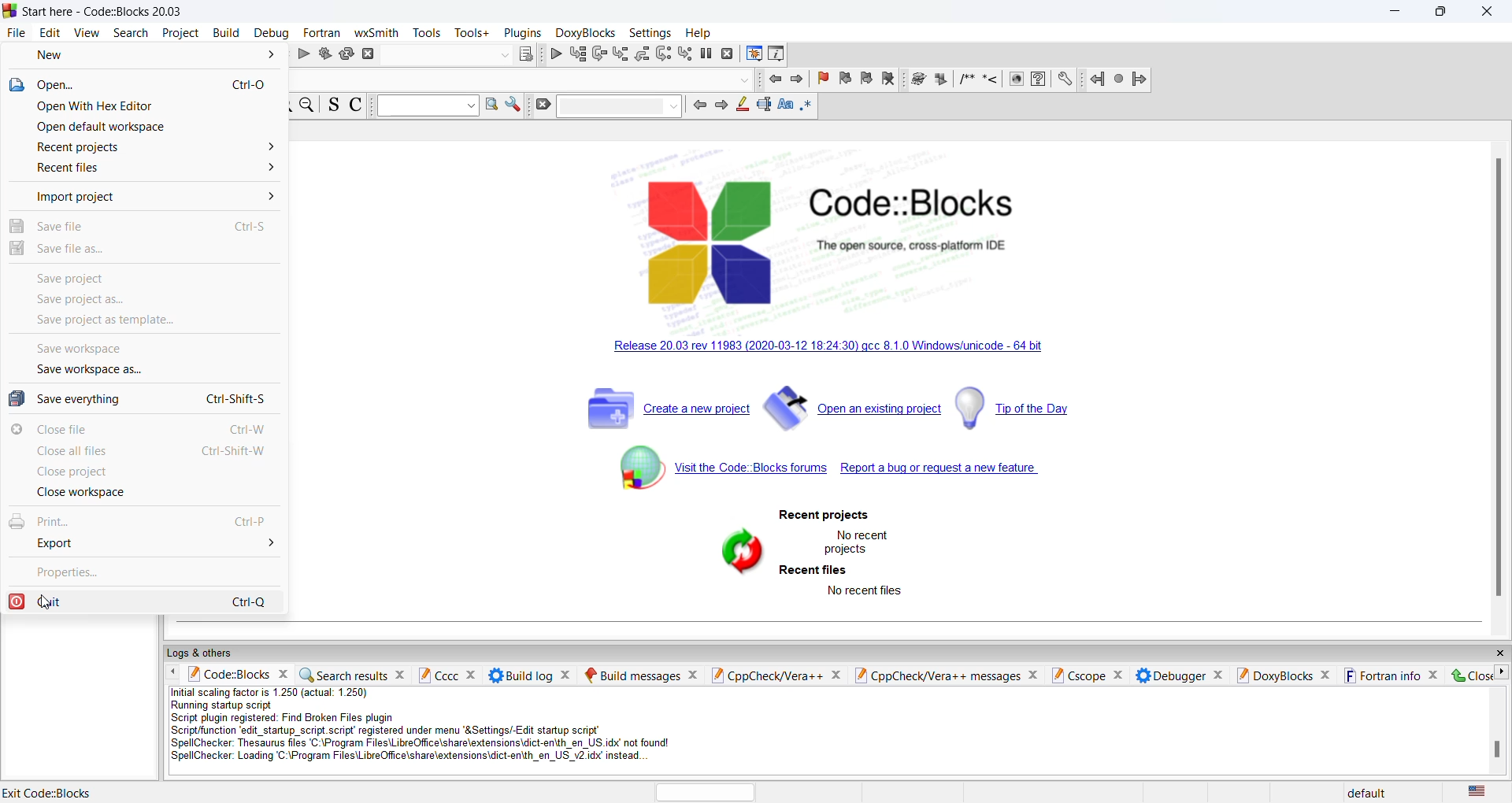 This screenshot has height=803, width=1512. What do you see at coordinates (966, 81) in the screenshot?
I see `multiline comment` at bounding box center [966, 81].